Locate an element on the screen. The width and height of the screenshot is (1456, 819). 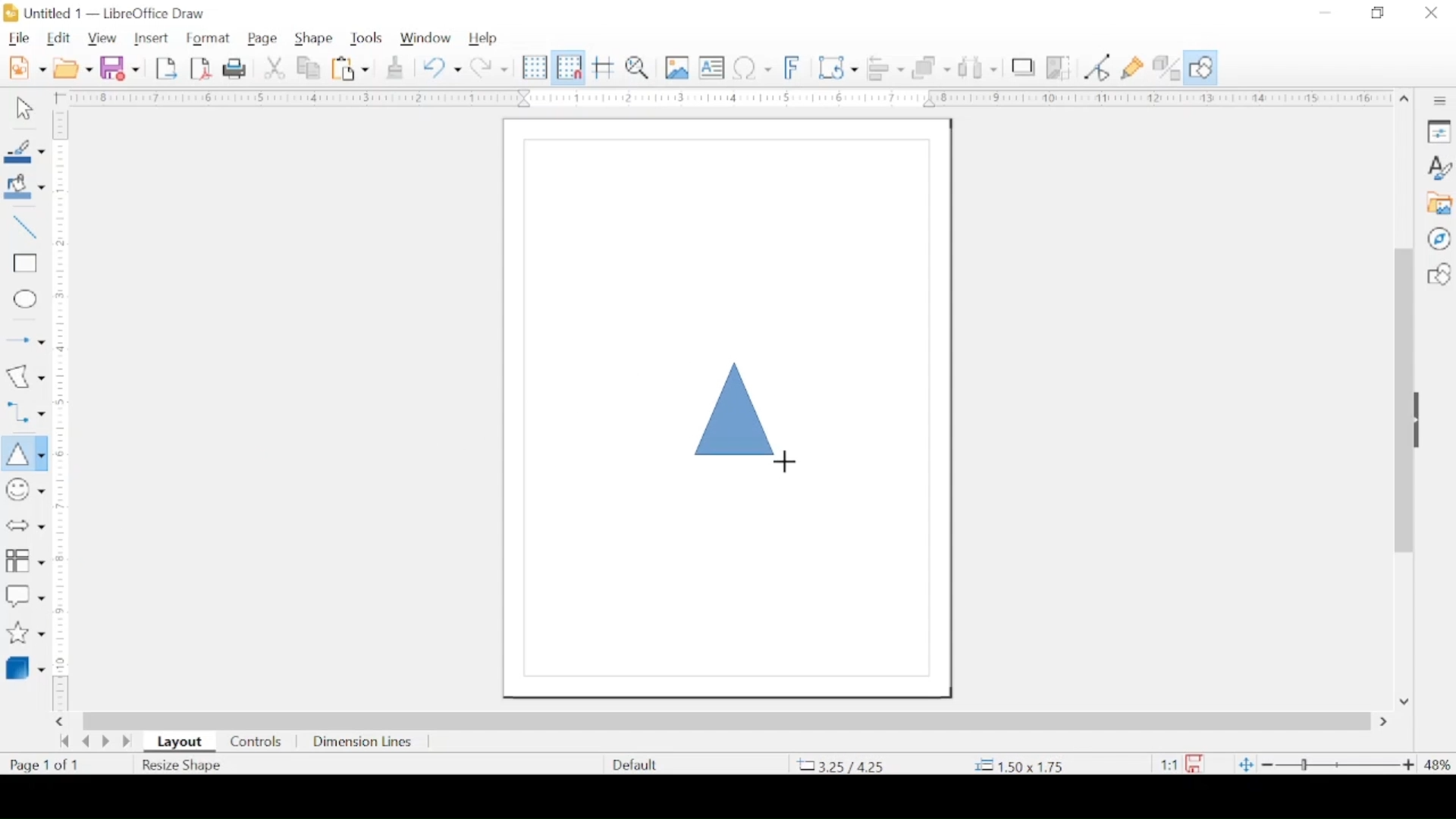
triangel is located at coordinates (736, 411).